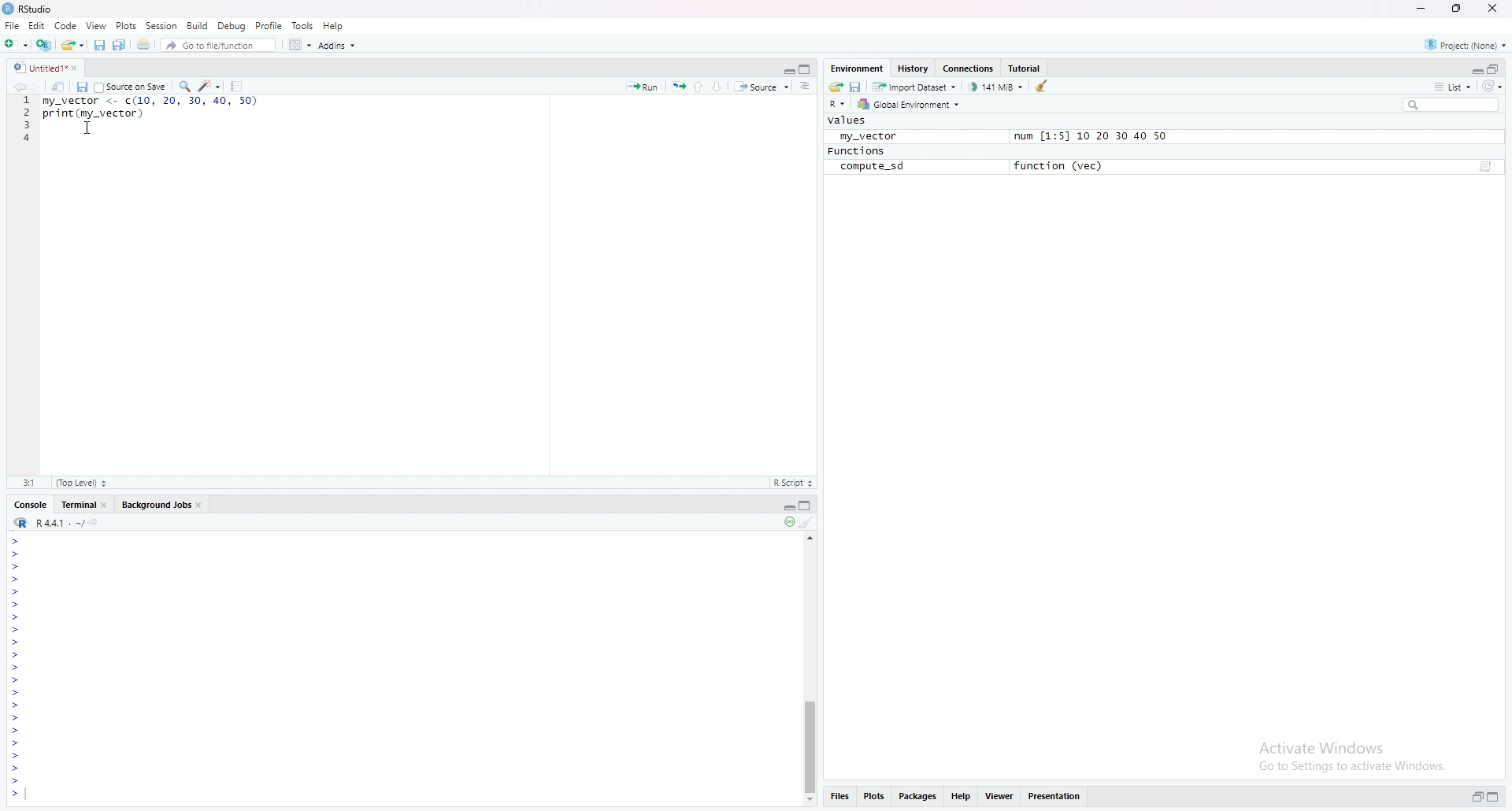  I want to click on Prompt cursor, so click(16, 756).